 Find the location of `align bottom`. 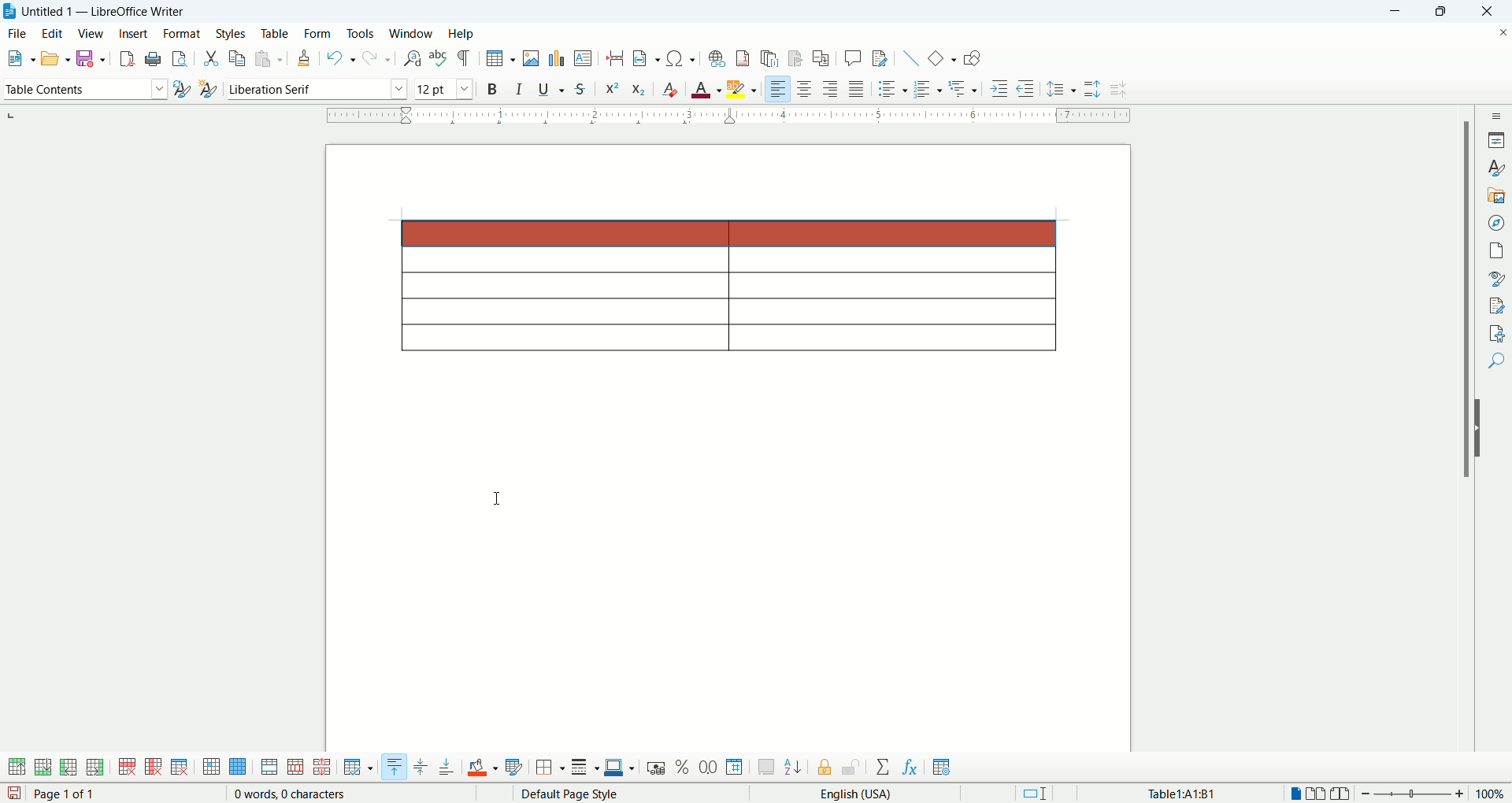

align bottom is located at coordinates (448, 767).